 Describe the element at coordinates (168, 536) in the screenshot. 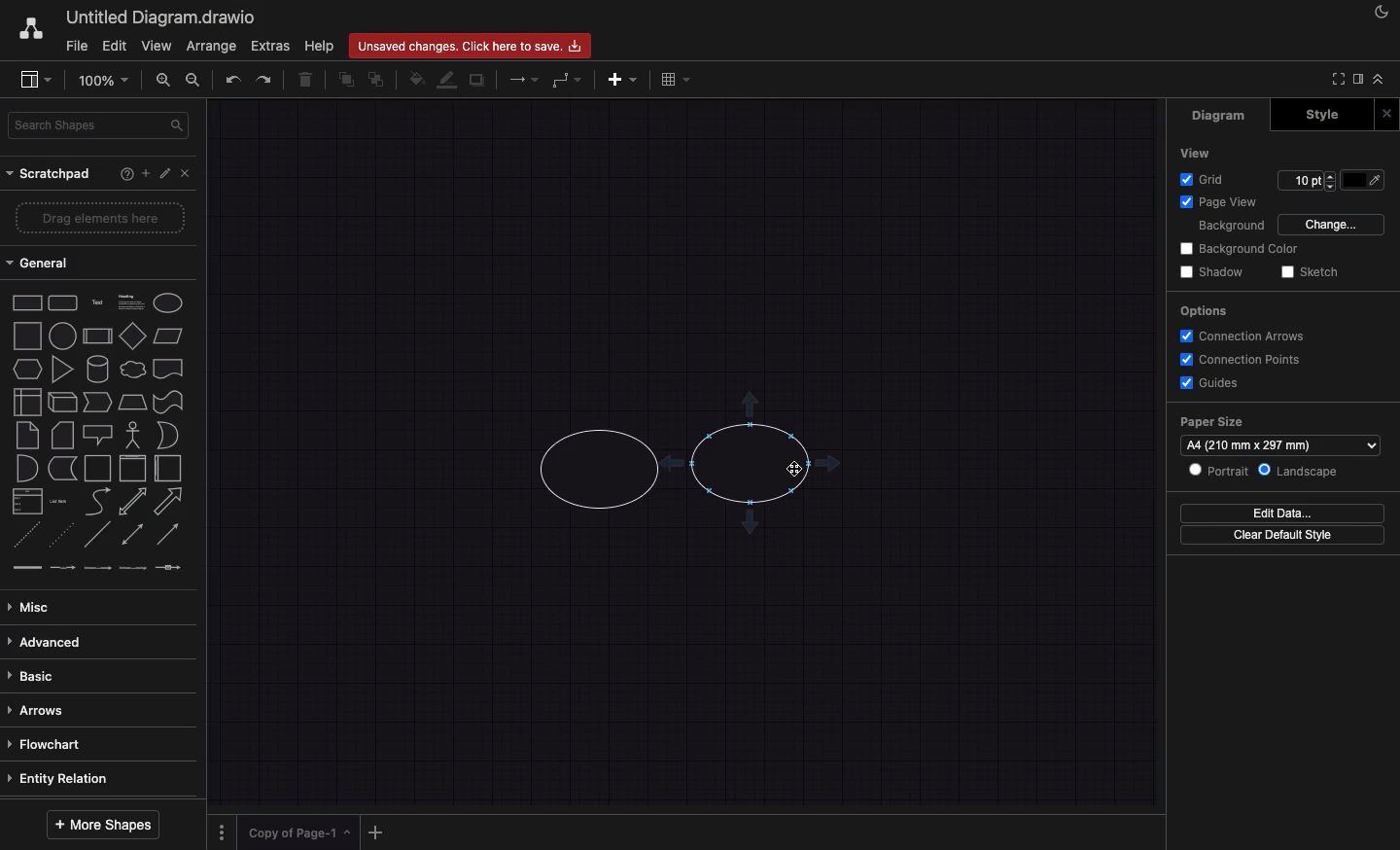

I see `directional connector` at that location.